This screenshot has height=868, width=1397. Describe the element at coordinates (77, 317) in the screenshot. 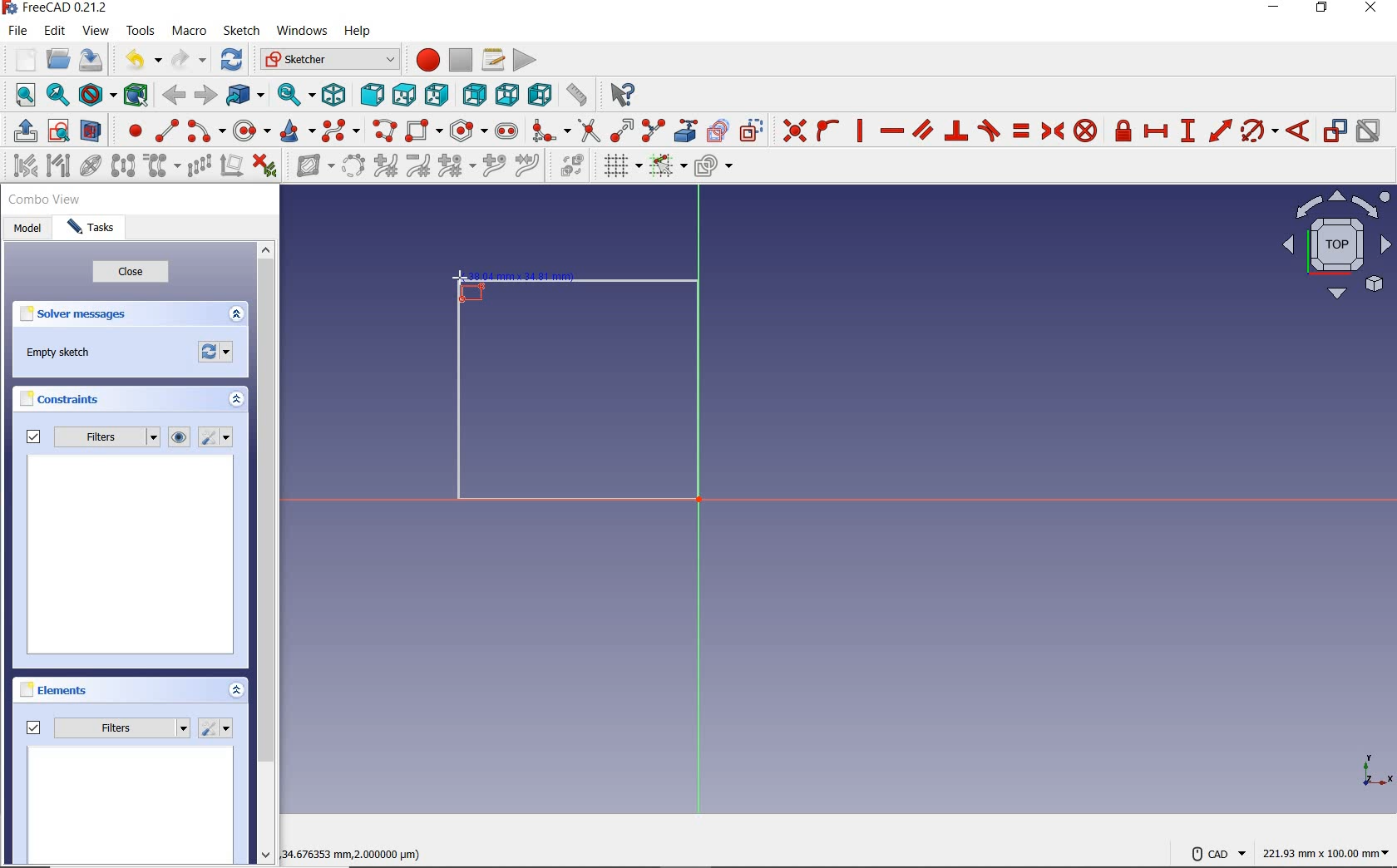

I see `solver messages` at that location.